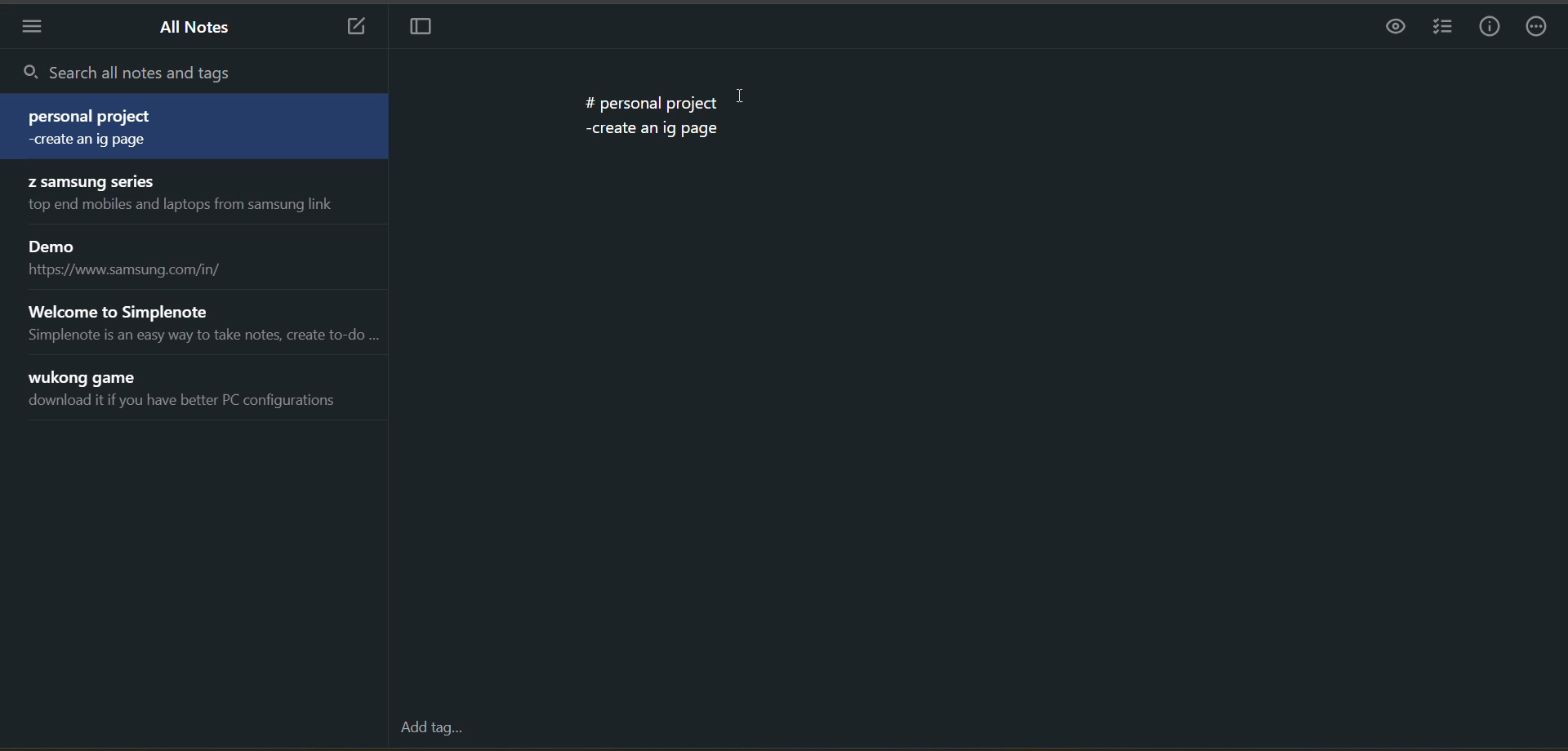 Image resolution: width=1568 pixels, height=751 pixels. What do you see at coordinates (189, 195) in the screenshot?
I see `note title and preview` at bounding box center [189, 195].